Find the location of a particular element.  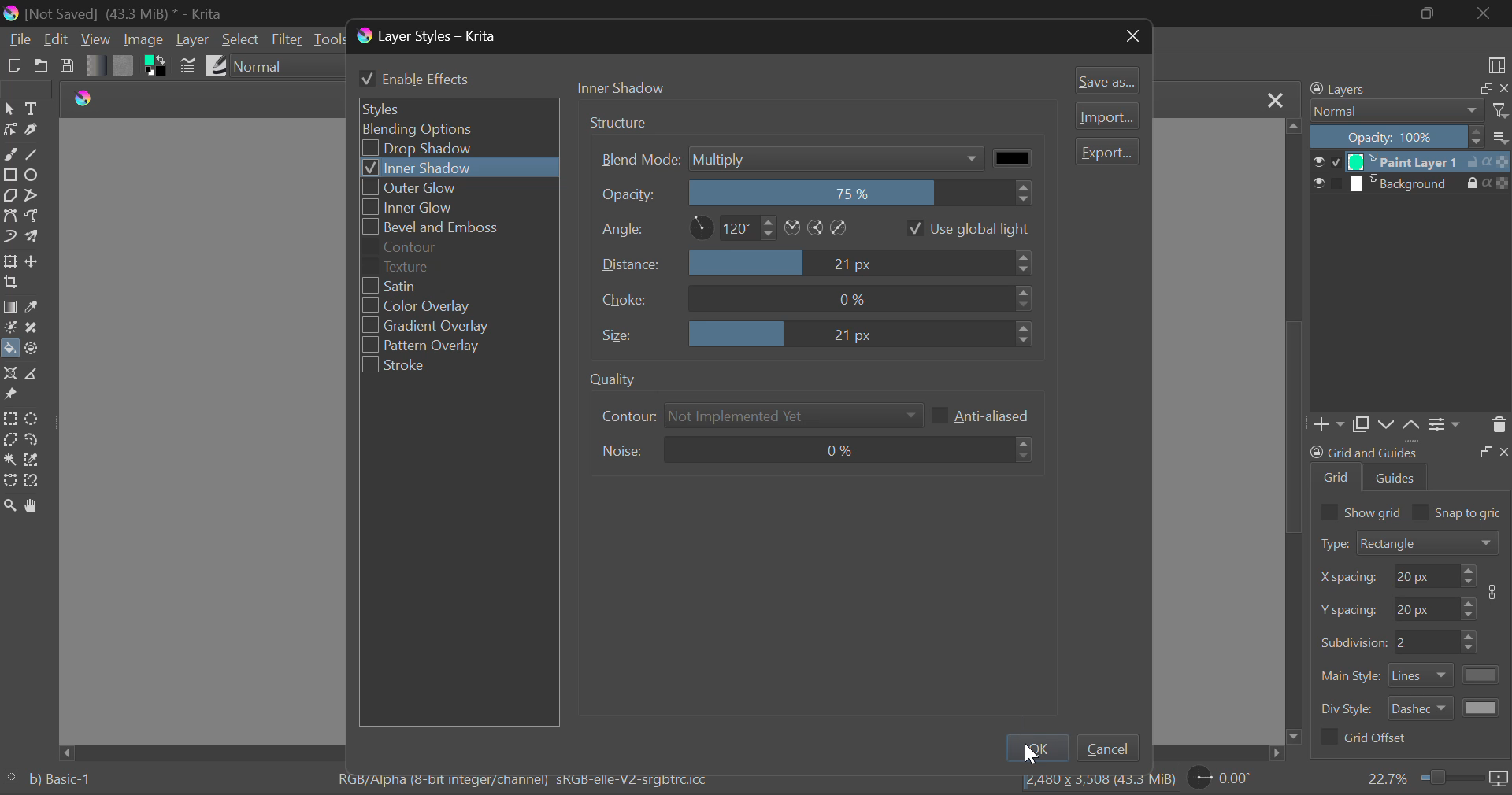

Copy Layers is located at coordinates (1362, 425).